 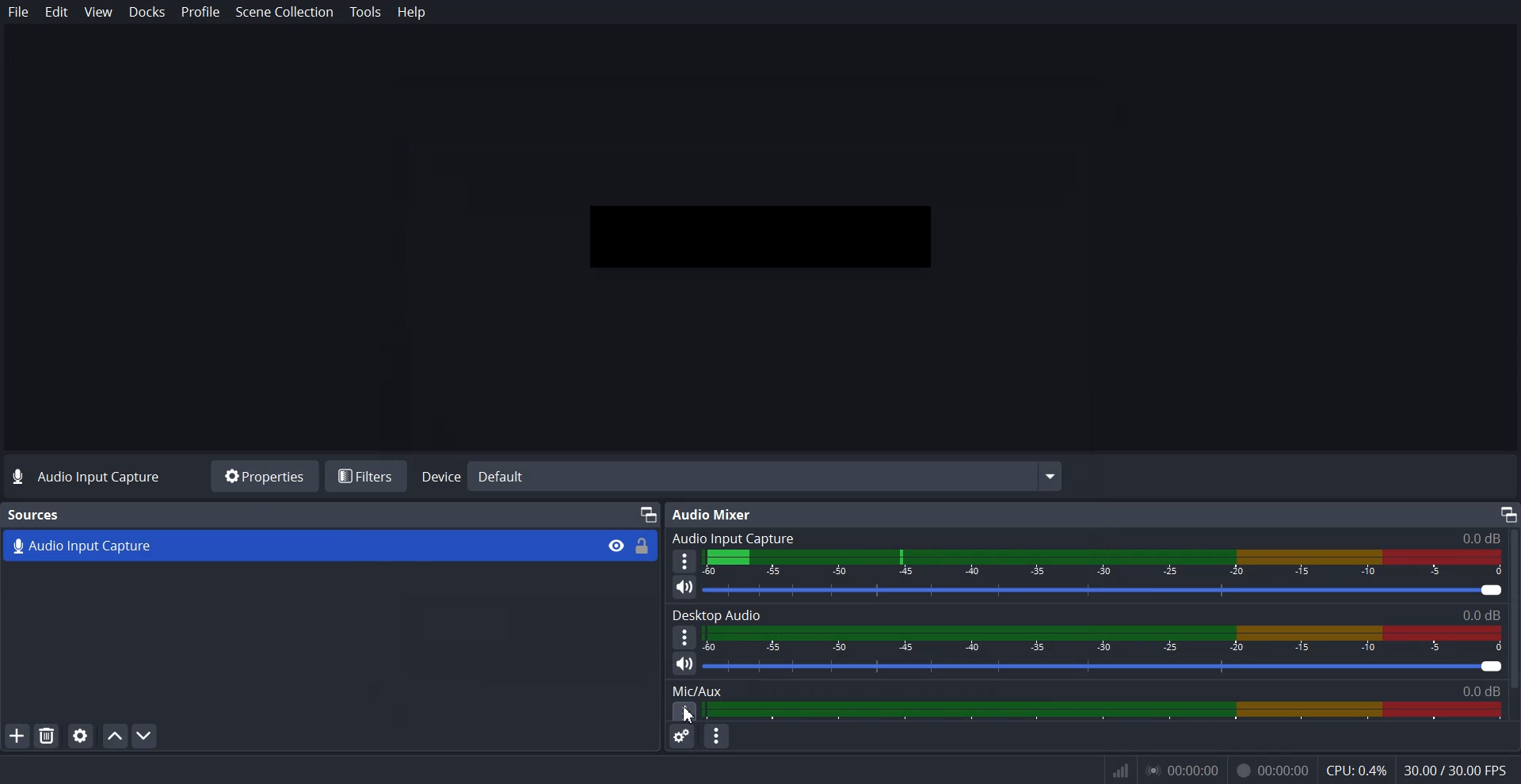 I want to click on Mic/Aux, so click(x=703, y=690).